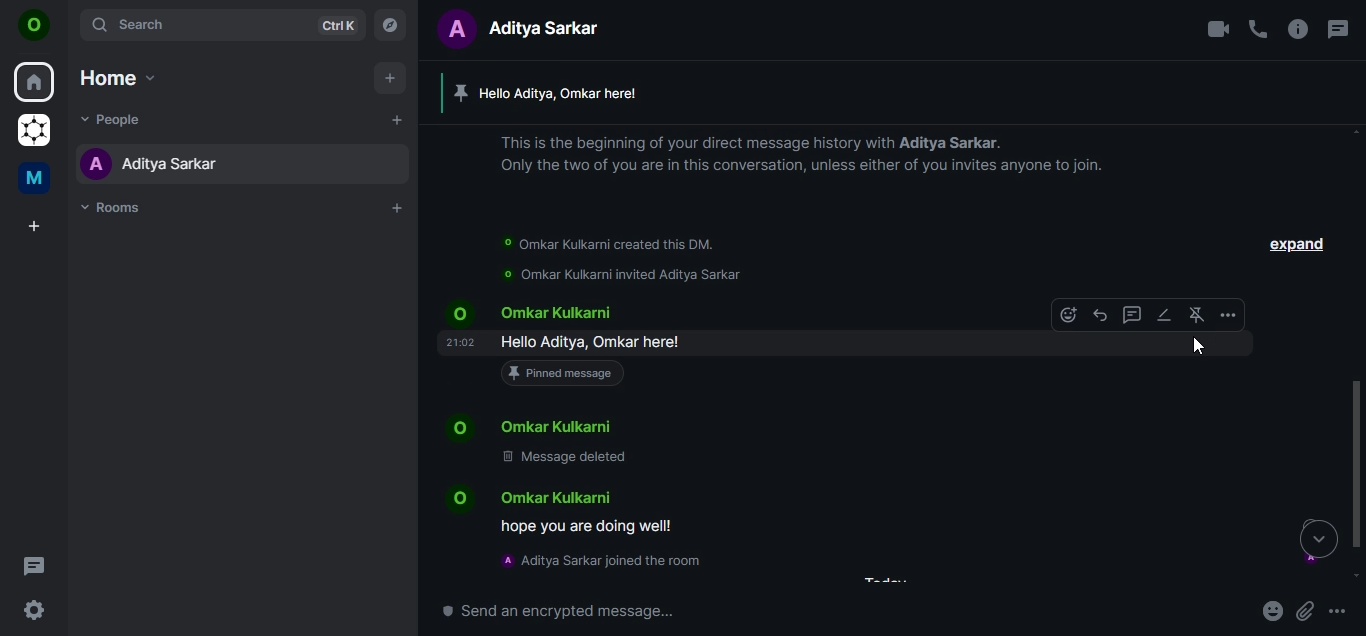 This screenshot has height=636, width=1366. I want to click on move down, so click(1313, 539).